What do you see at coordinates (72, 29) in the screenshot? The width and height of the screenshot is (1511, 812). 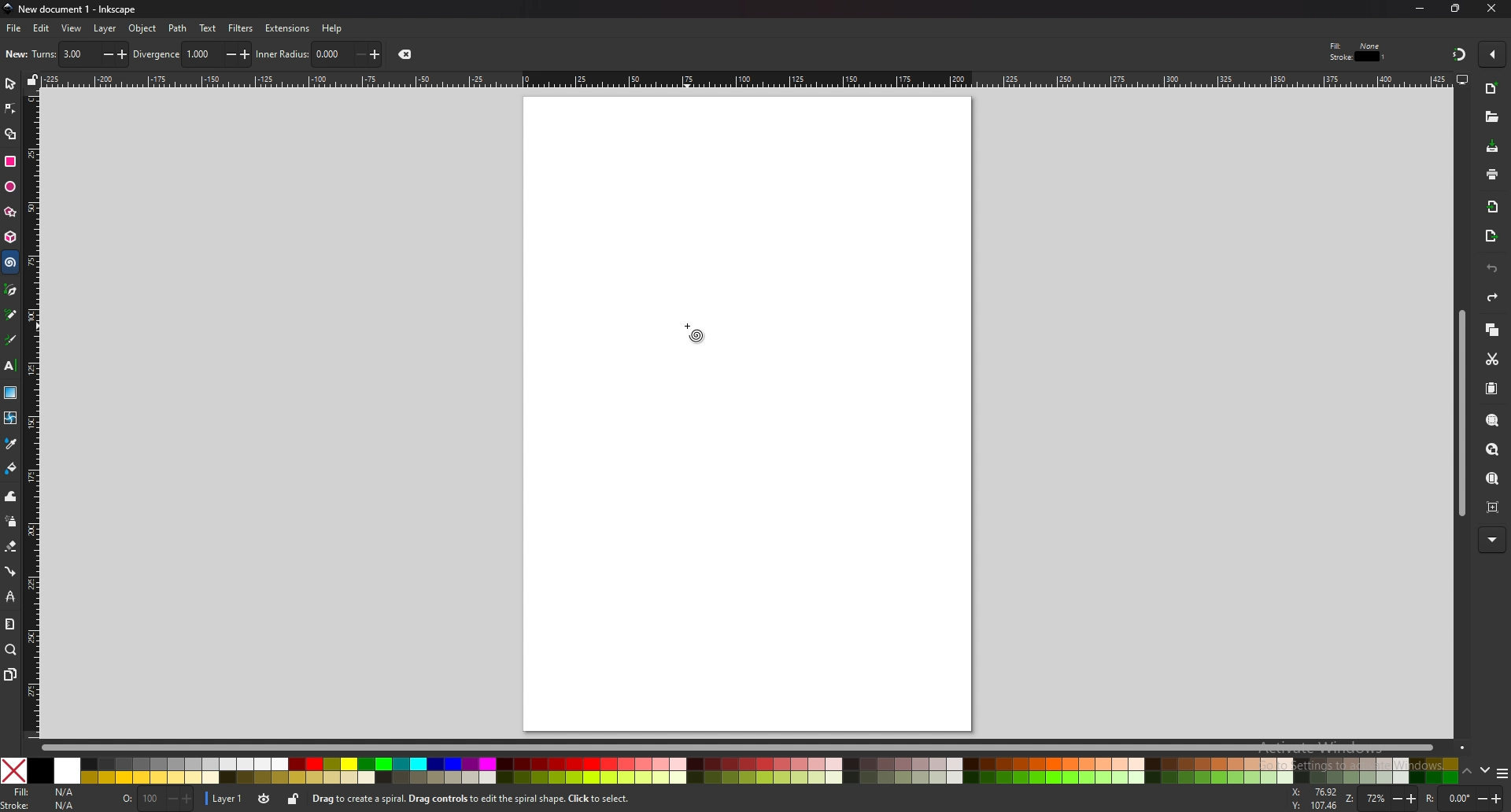 I see `view` at bounding box center [72, 29].